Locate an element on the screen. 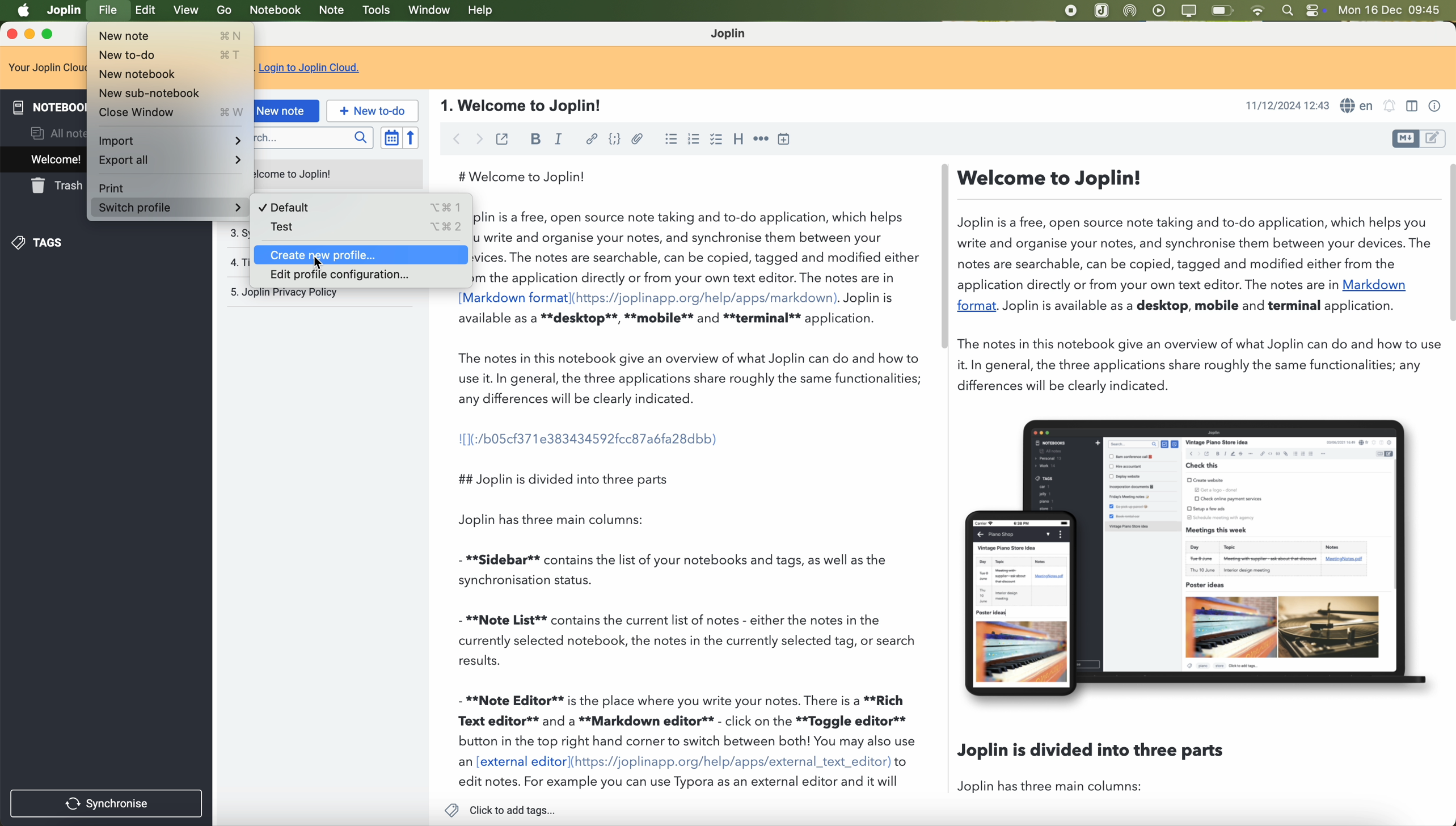  Test is located at coordinates (363, 228).